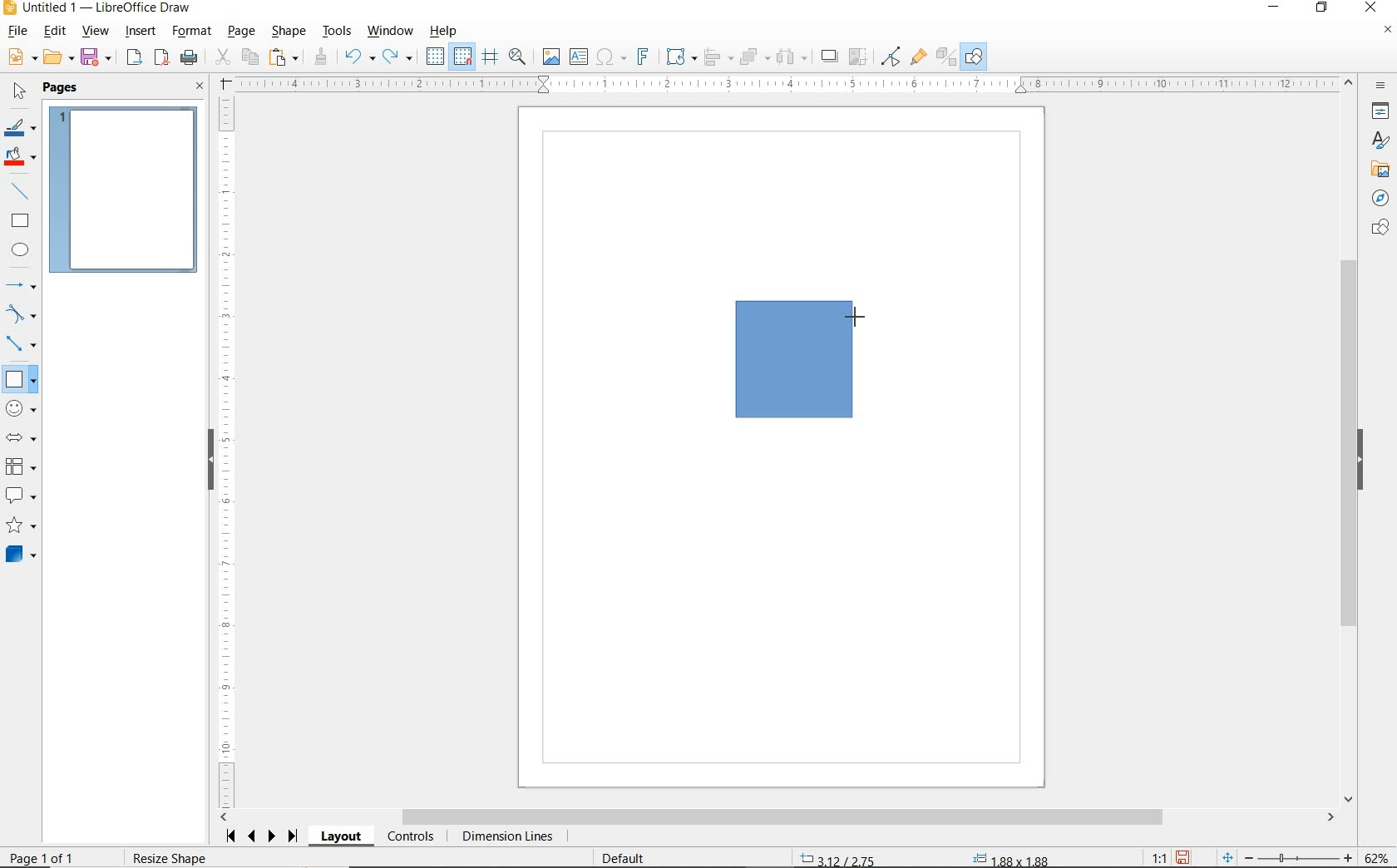 This screenshot has width=1397, height=868. I want to click on ZOOM & PAN, so click(518, 57).